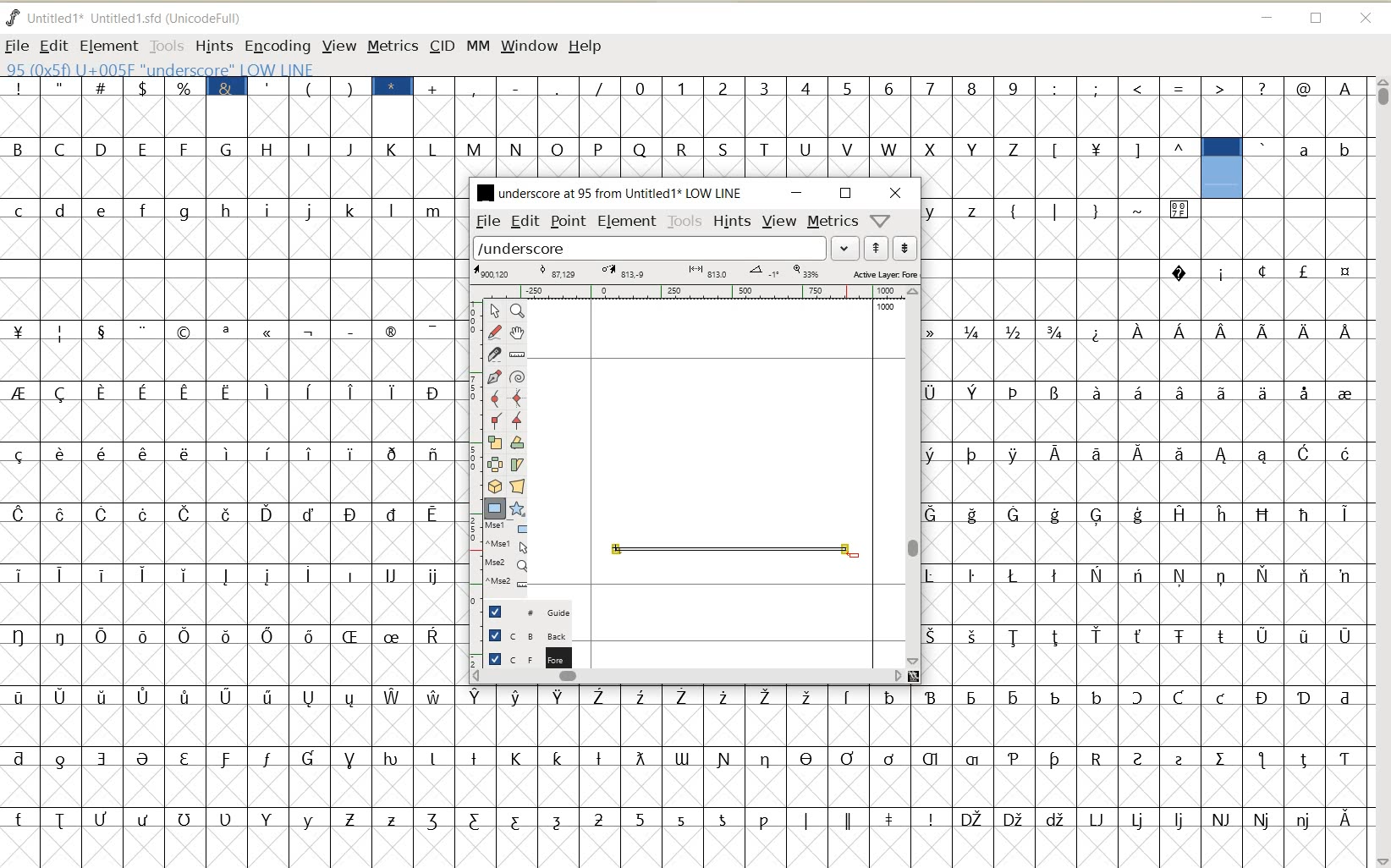 The height and width of the screenshot is (868, 1391). I want to click on FILE, so click(487, 222).